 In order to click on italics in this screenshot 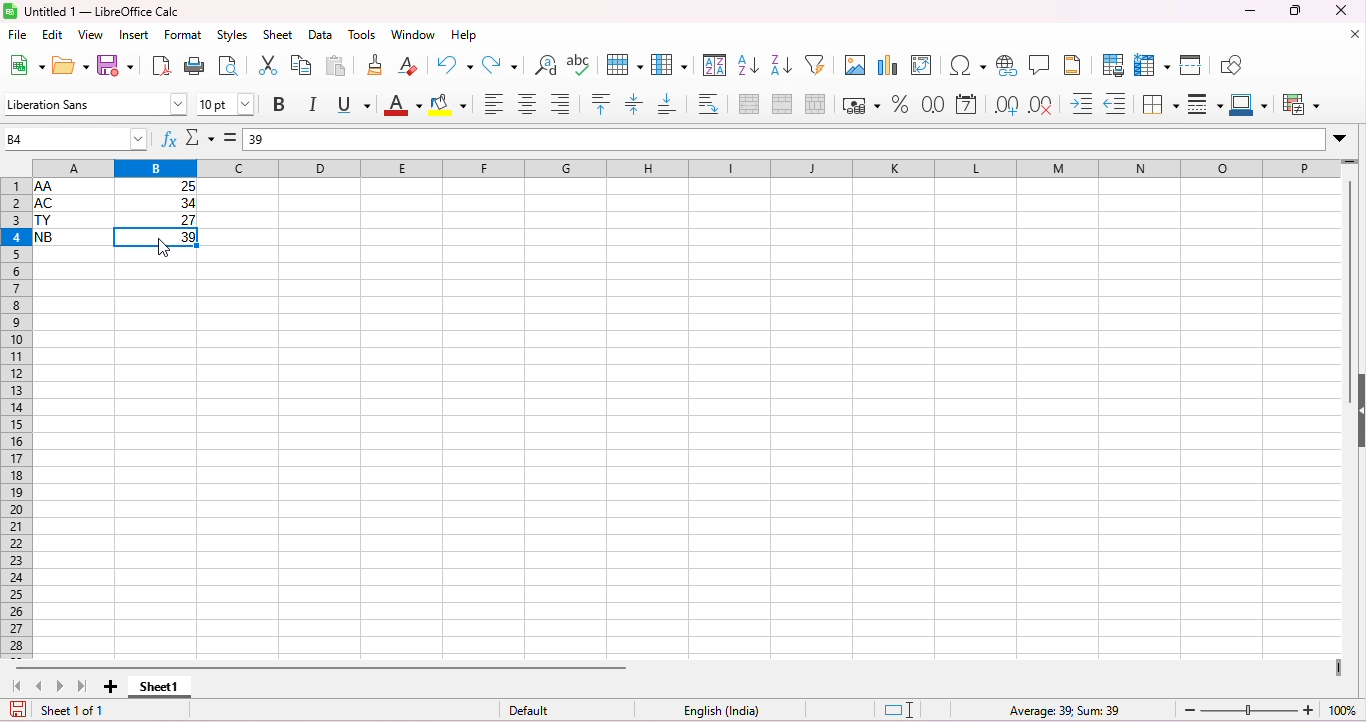, I will do `click(315, 105)`.